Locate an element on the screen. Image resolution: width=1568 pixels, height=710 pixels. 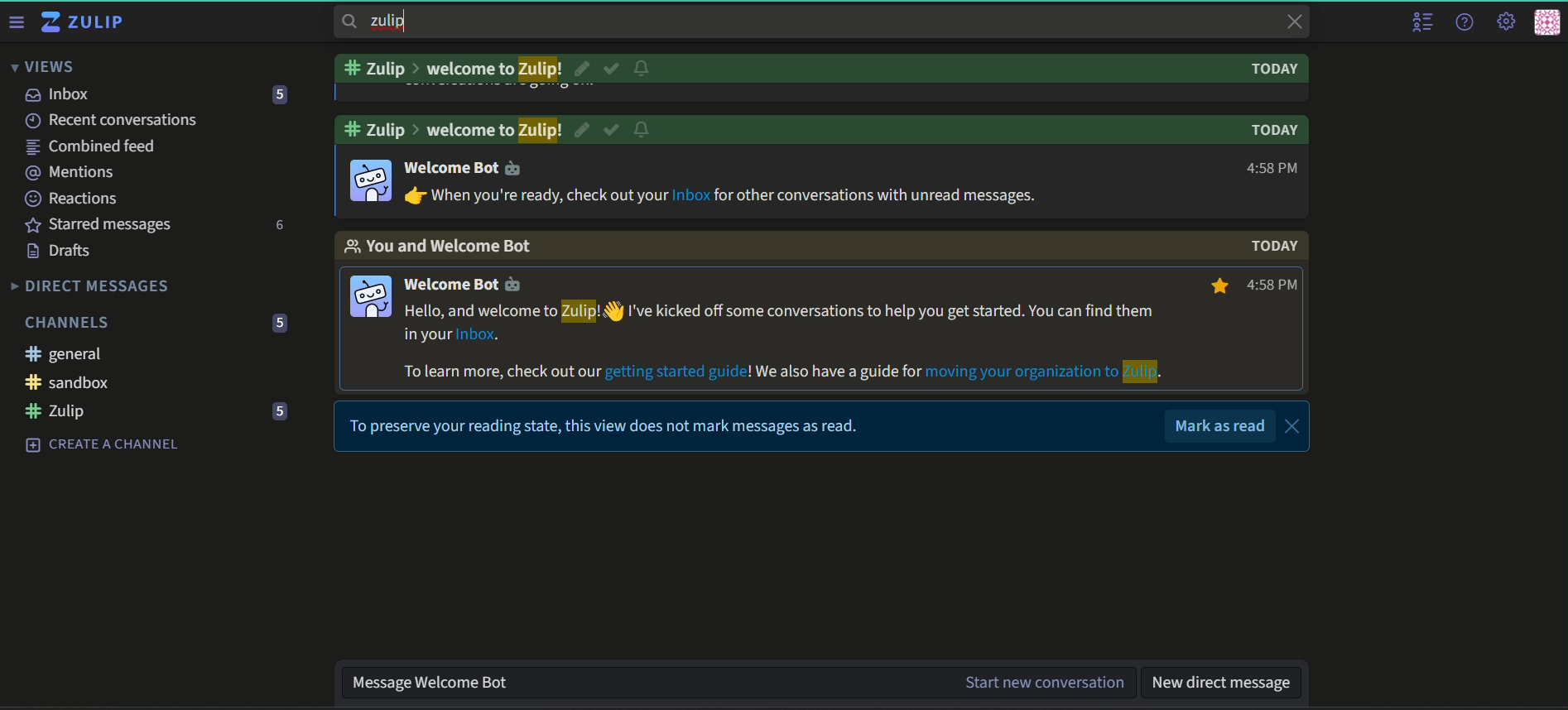
number is located at coordinates (281, 322).